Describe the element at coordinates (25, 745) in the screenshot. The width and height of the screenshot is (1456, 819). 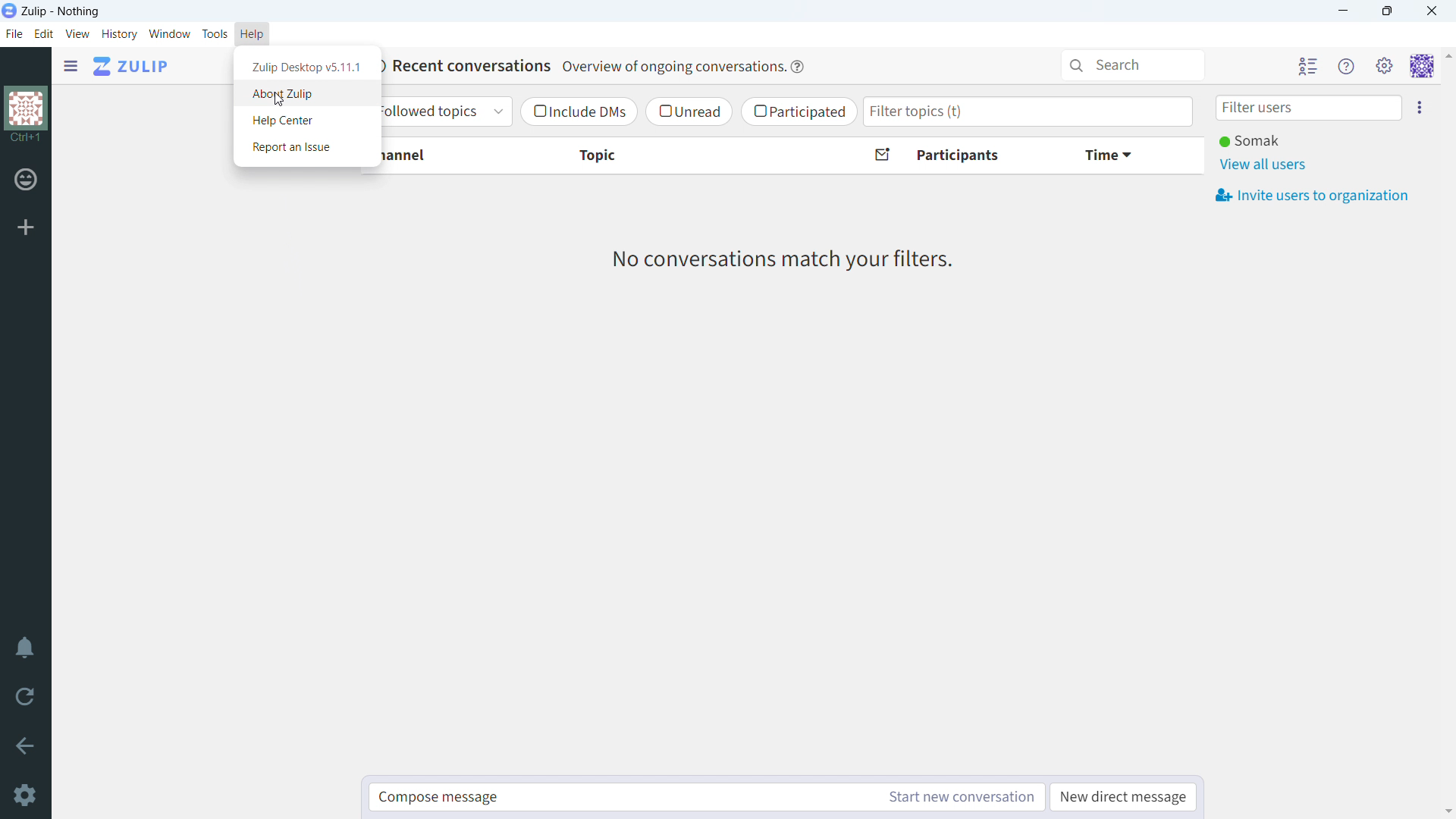
I see `go back` at that location.